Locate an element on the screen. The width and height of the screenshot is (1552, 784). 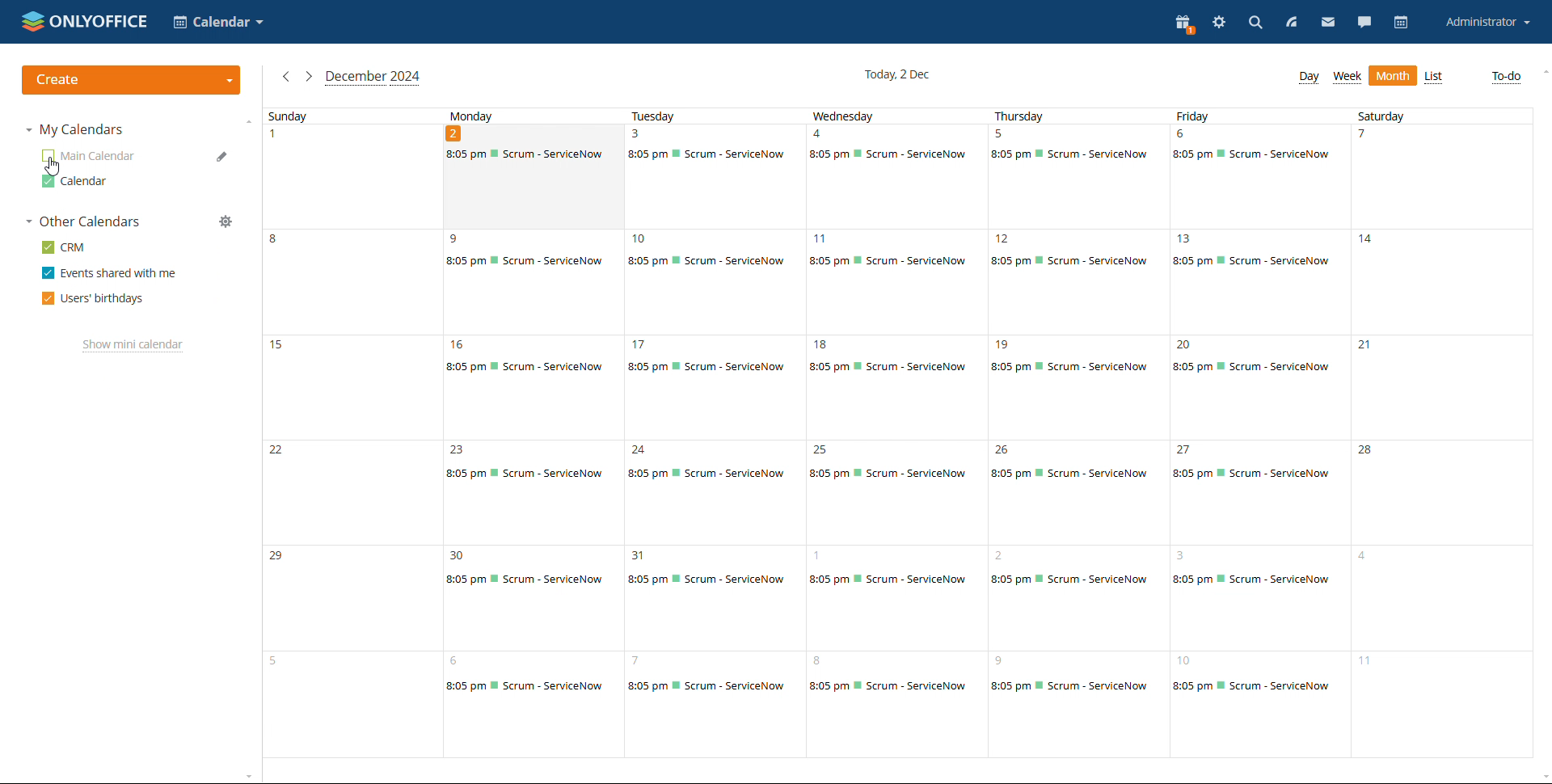
list view is located at coordinates (1434, 77).